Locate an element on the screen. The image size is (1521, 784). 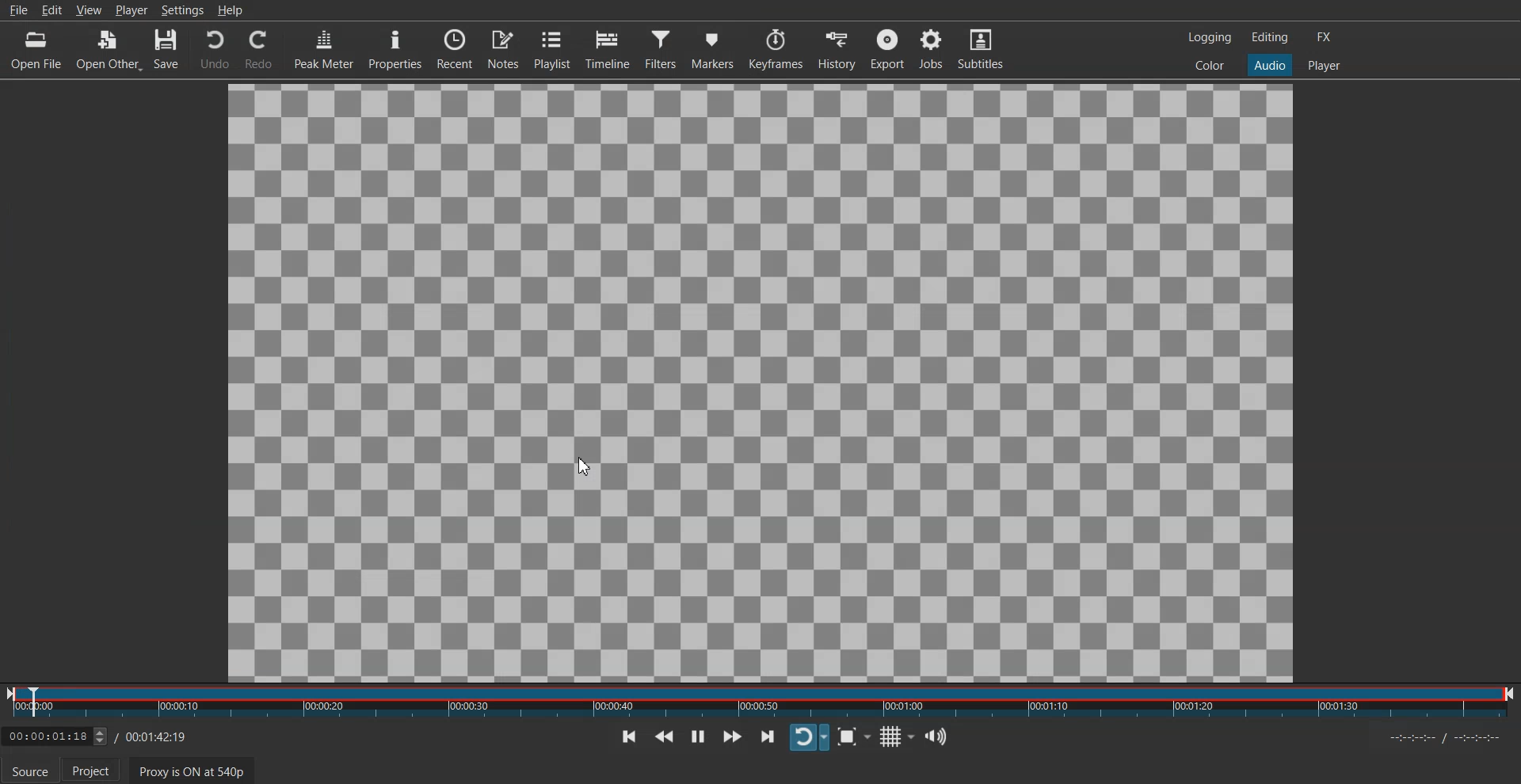
FX is located at coordinates (1325, 36).